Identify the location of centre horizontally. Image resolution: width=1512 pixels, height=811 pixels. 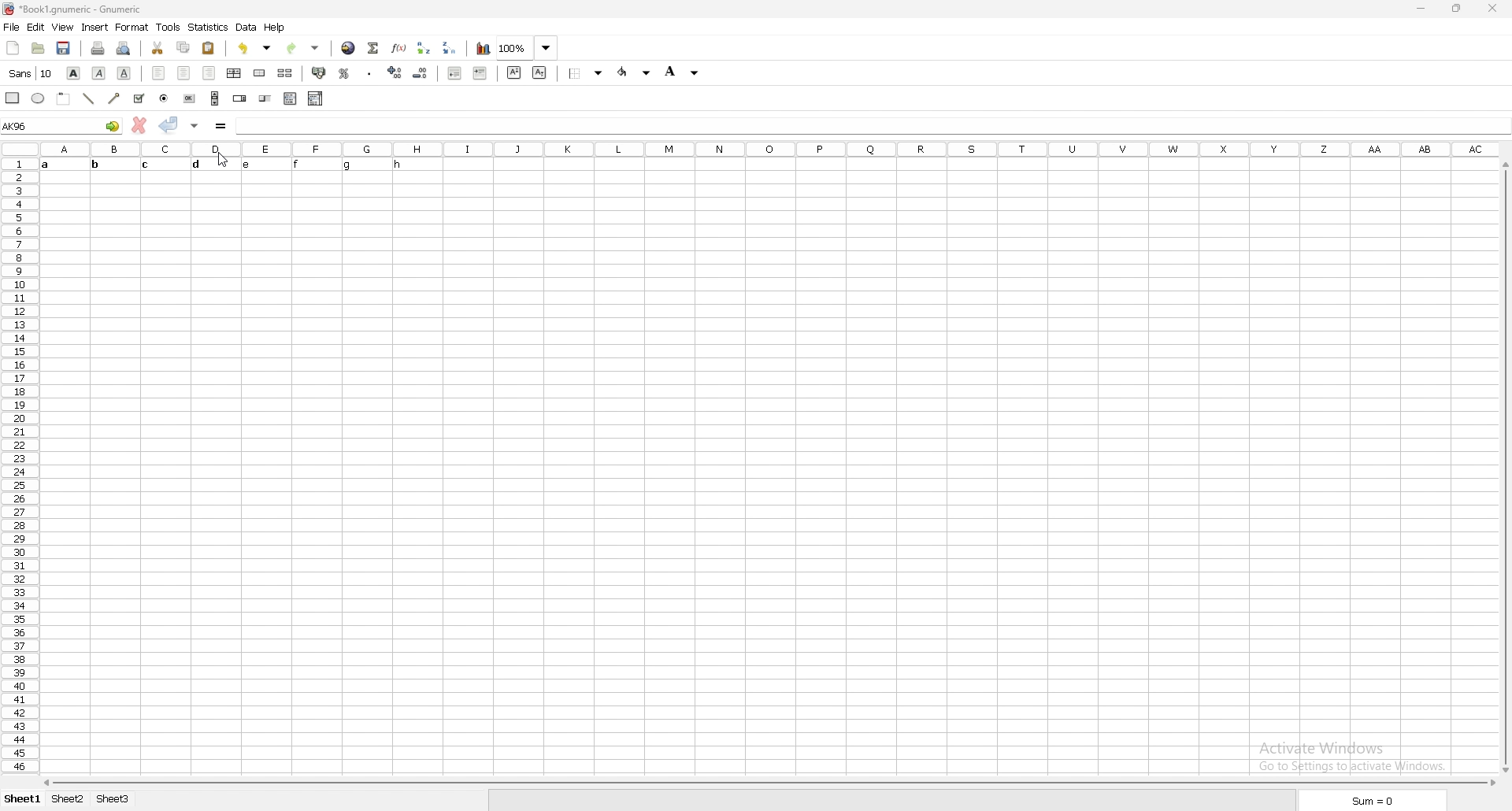
(235, 73).